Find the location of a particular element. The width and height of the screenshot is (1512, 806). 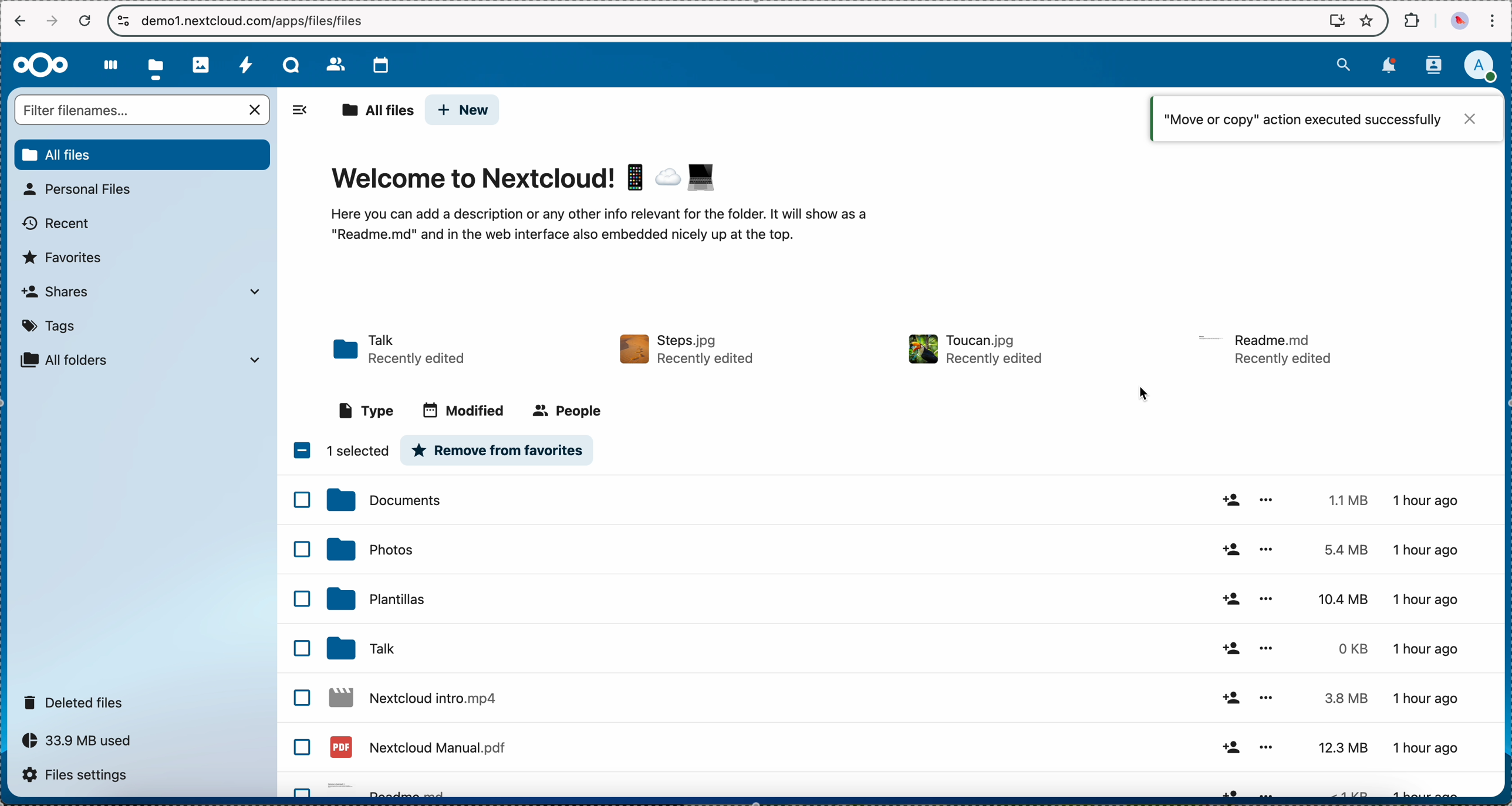

people is located at coordinates (570, 410).